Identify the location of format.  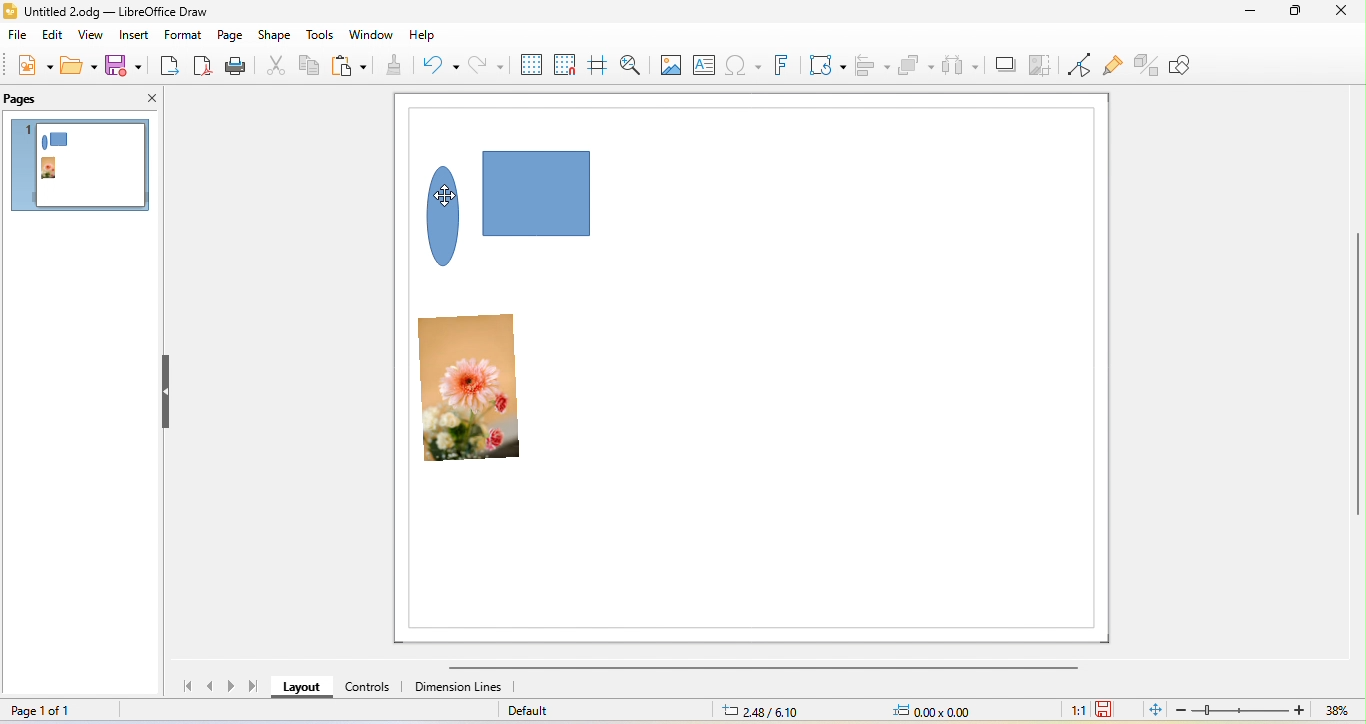
(183, 35).